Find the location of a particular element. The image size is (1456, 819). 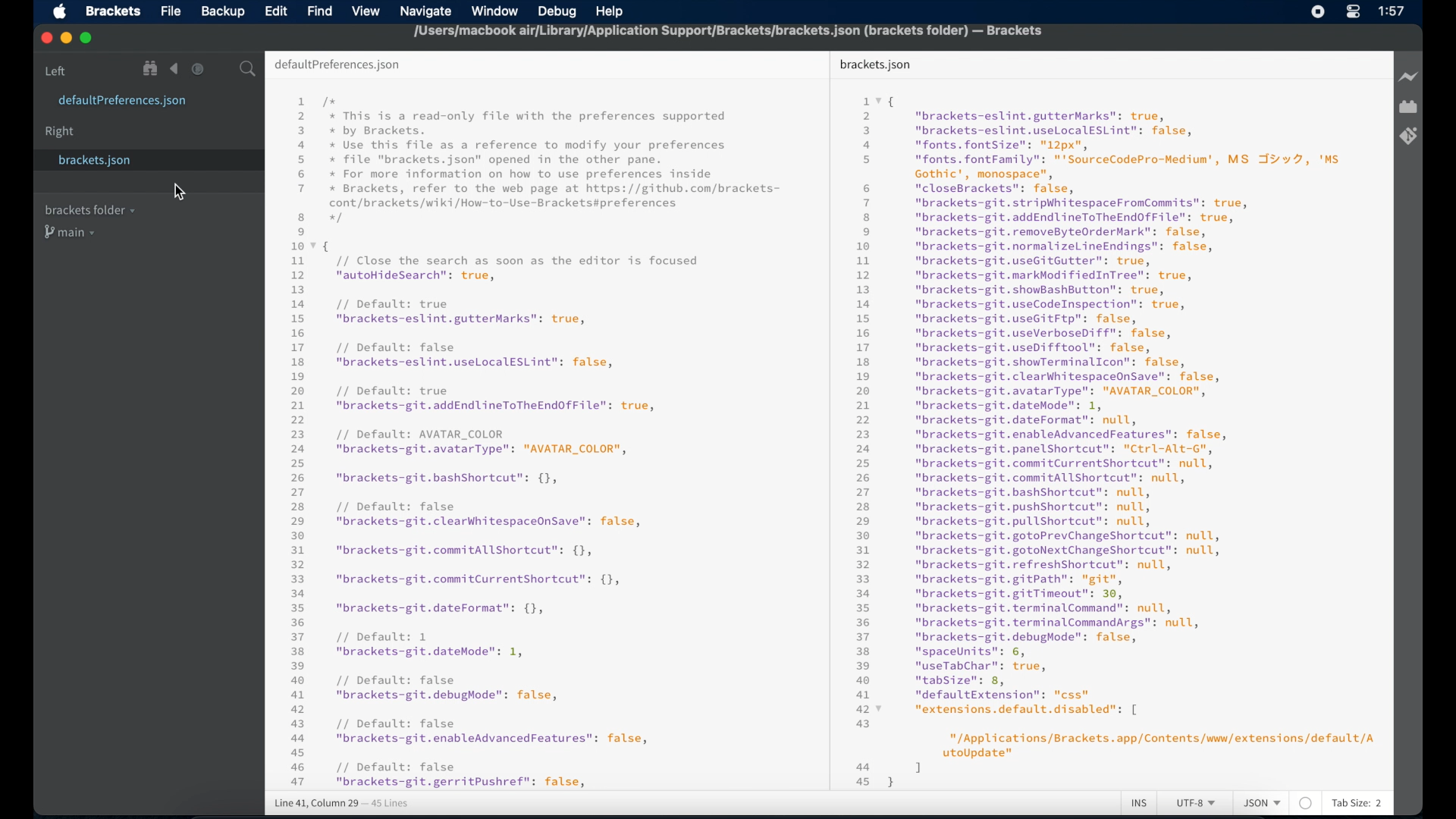

1 v { 2 "brackets-eslint.gutterMarks": true,3 "brackets-eslint.useLocalESLint": false,4 "fonts. fontSize": "12px",5 "fonts. fontFamily": "'SourceCodePro-Medium', MS JY v%, 'MsGothic', monospace",6 "closeBrackets": false,7 "brackets-git.stripWhitespaceFromCommits": true,8 "brackets-git.addEndlineToTheEndOfFile": true,9 "brackets-git.removeByteOrderMark": false,10 "brackets-git.normalizeLineEndings": false,1 "brackets-git.useGitGutter": true,12 "brackets-git.markModifiedInTree": true,13 "brackets-git.showBashButton": true,14 "brackets-git.useCodeInspection": true,15 "brackets-git.useGitFtp": false,16 "brackets-git.useVerboseDiff": false,17 "brackets-git.useDifftool": false,18 "brackets-git.showTerminalIcon": false,19 "brackets-git.clearWhitespaceOnsave": false,20 "brackets-git.avatarType": "AVATAR_COLOR",21 "brackets-git.dateMode": 1,22 "brackets-git.dateFormat": null,23 "brackets-git.enableAdvancedFeatures": false,24 "brackets-git.panelShortcut": "Ctrl-Alt-G",25 "brackets-git.commitCurrentShortcut": null,26 "brackets-git.commitAllShortcut": null,27 "brackets-git.bashShortcut": null,28 "brackets-git.pushShortcut": null,29 "brackets-git.pullShortcut": null,30 "brackets-git.gotoPrevChangeShortcut": null,31 "brackets-git.gotoNextChangeShortcut": null,32 "brackets-git.refreshShortcut”: null,33 "brackets-git.gitPath": "git",34 "brackets-git.gitTimeout": 30,35 "brackets-git.terminalCommand": null,36 "brackets-git.terminalCommandArgs": null,37 "brackets-git.debughode": false,38 "spaceUnits": 6,39 "useTabChar": true,40 "tabsize": 8,a1 "defaultExtension": "css"av "extensions.default.disabled": [43"/Applications/Brackets.app/Contents/www/extensions/default/AutoUpdate"a4 ]45 } is located at coordinates (1116, 441).